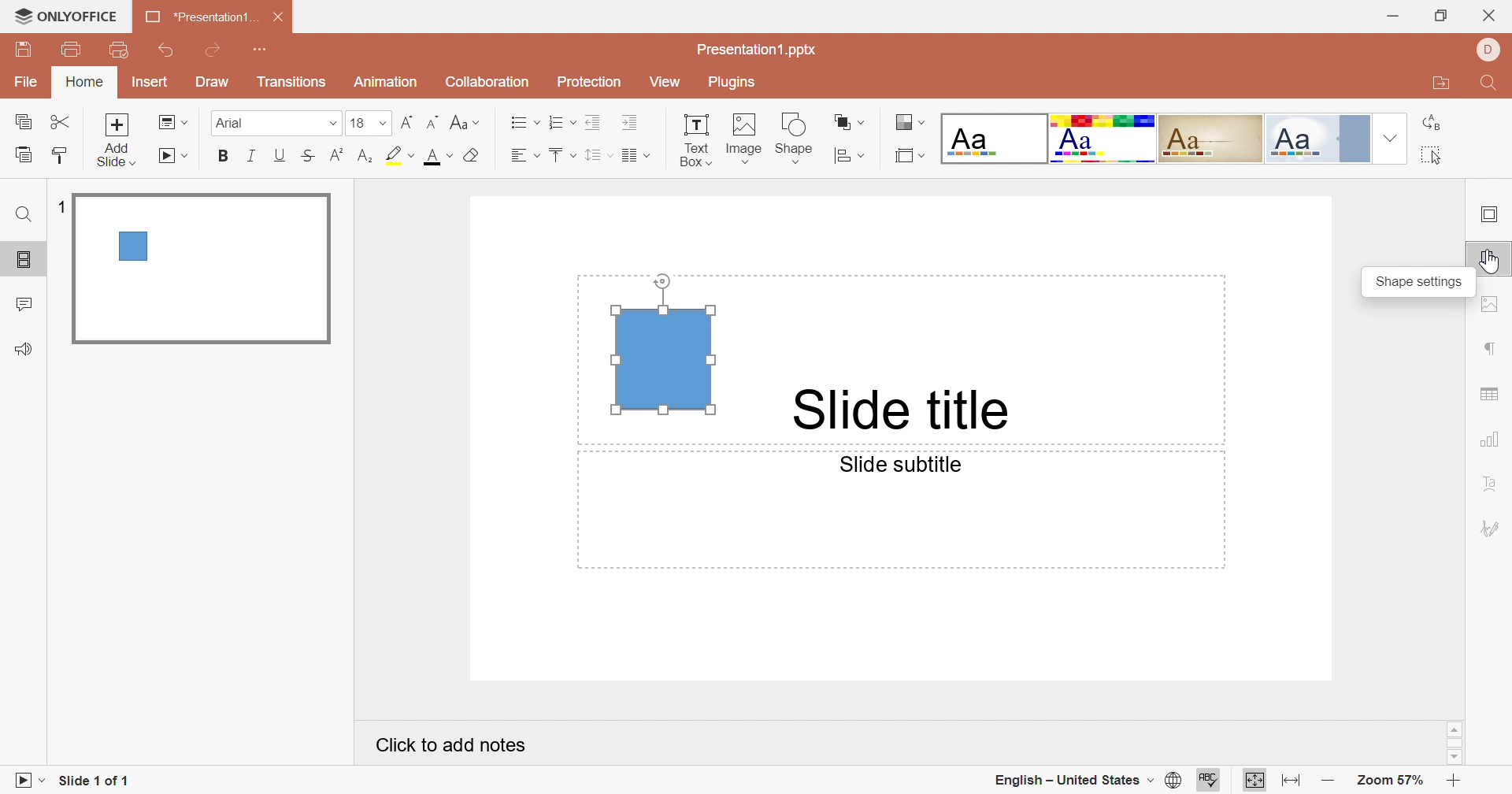  Describe the element at coordinates (1288, 781) in the screenshot. I see `Fit to width` at that location.